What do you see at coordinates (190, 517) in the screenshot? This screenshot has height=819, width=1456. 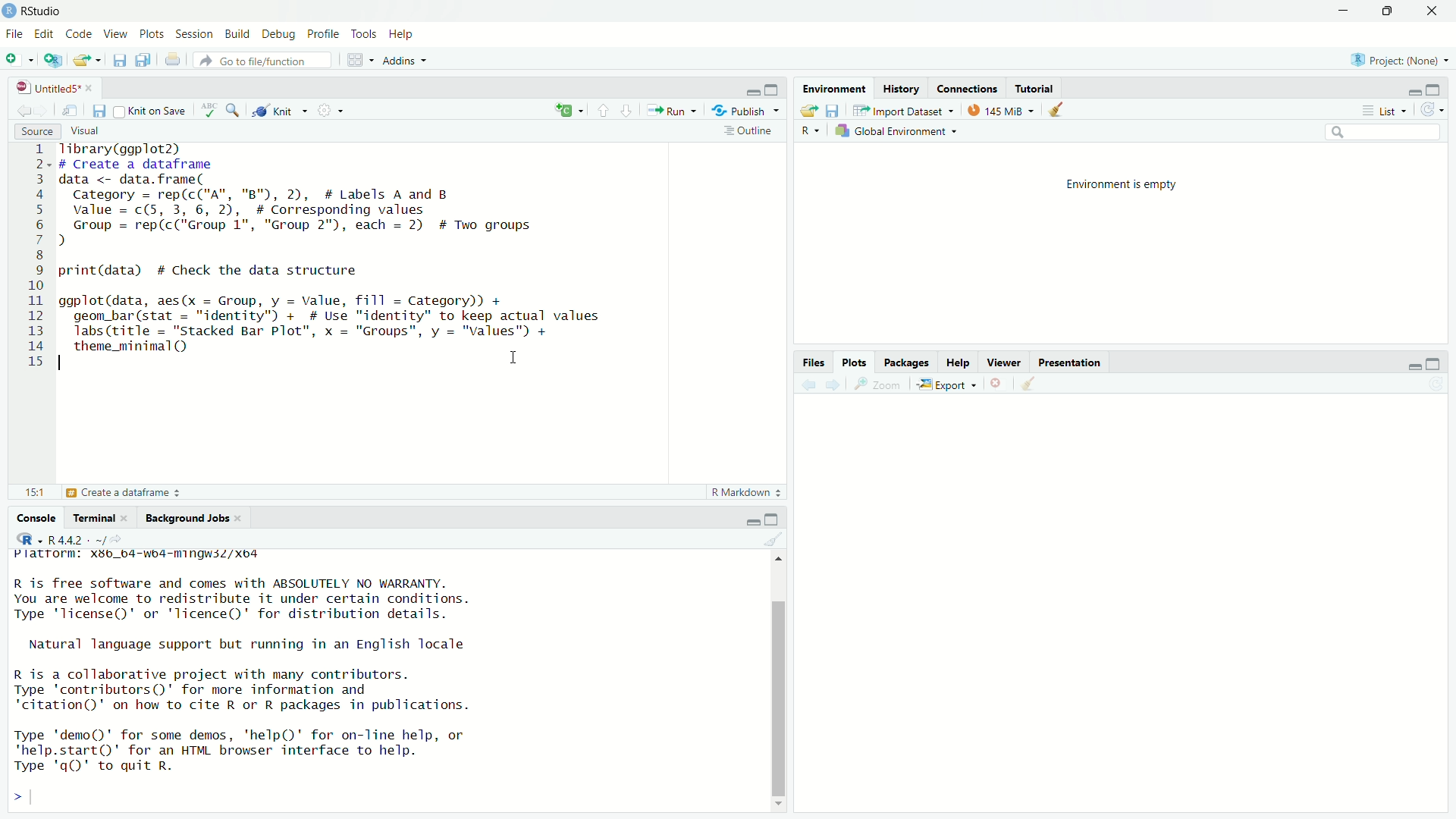 I see `Background Jobs` at bounding box center [190, 517].